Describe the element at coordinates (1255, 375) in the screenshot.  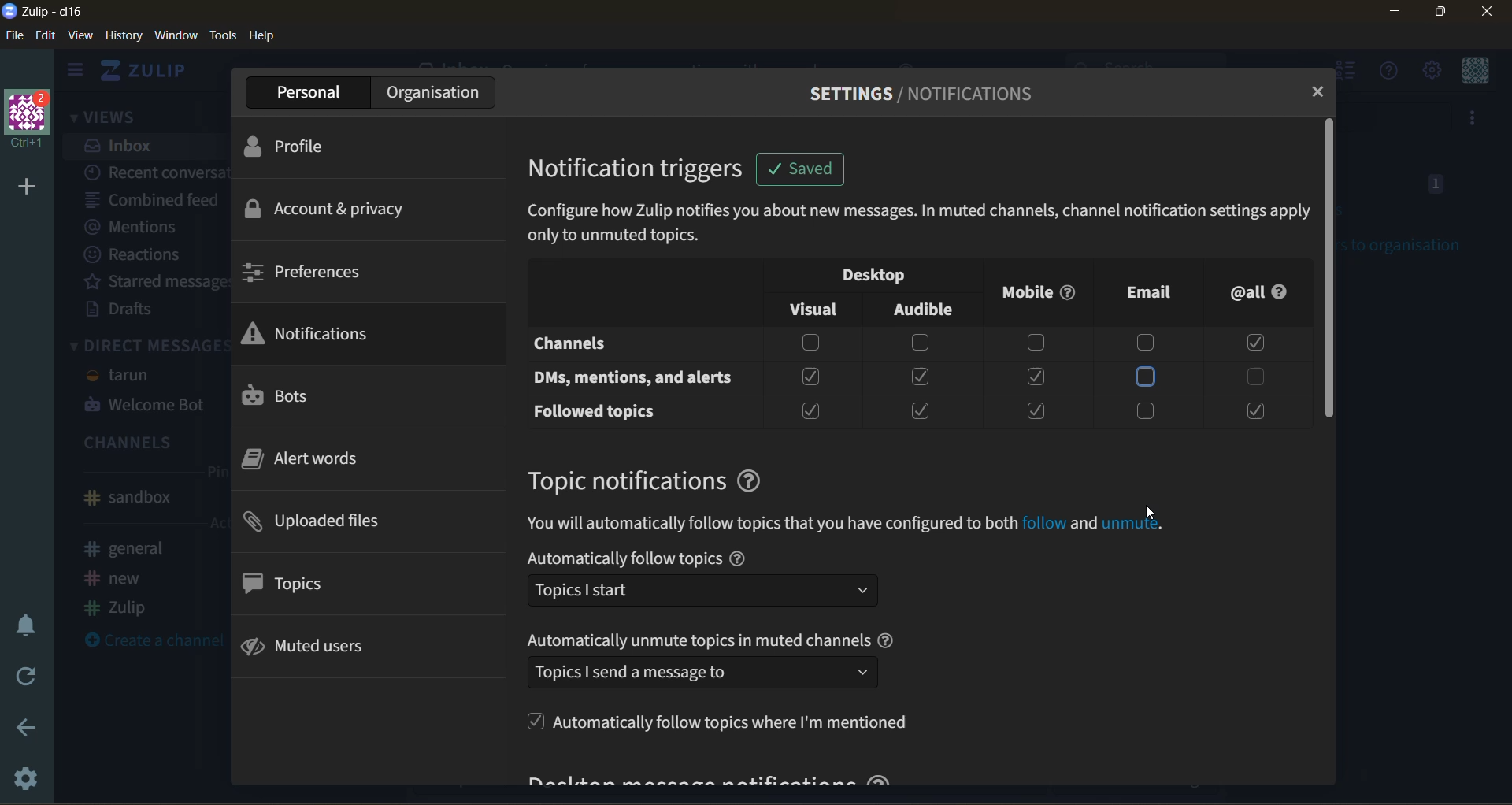
I see `checkbox` at that location.